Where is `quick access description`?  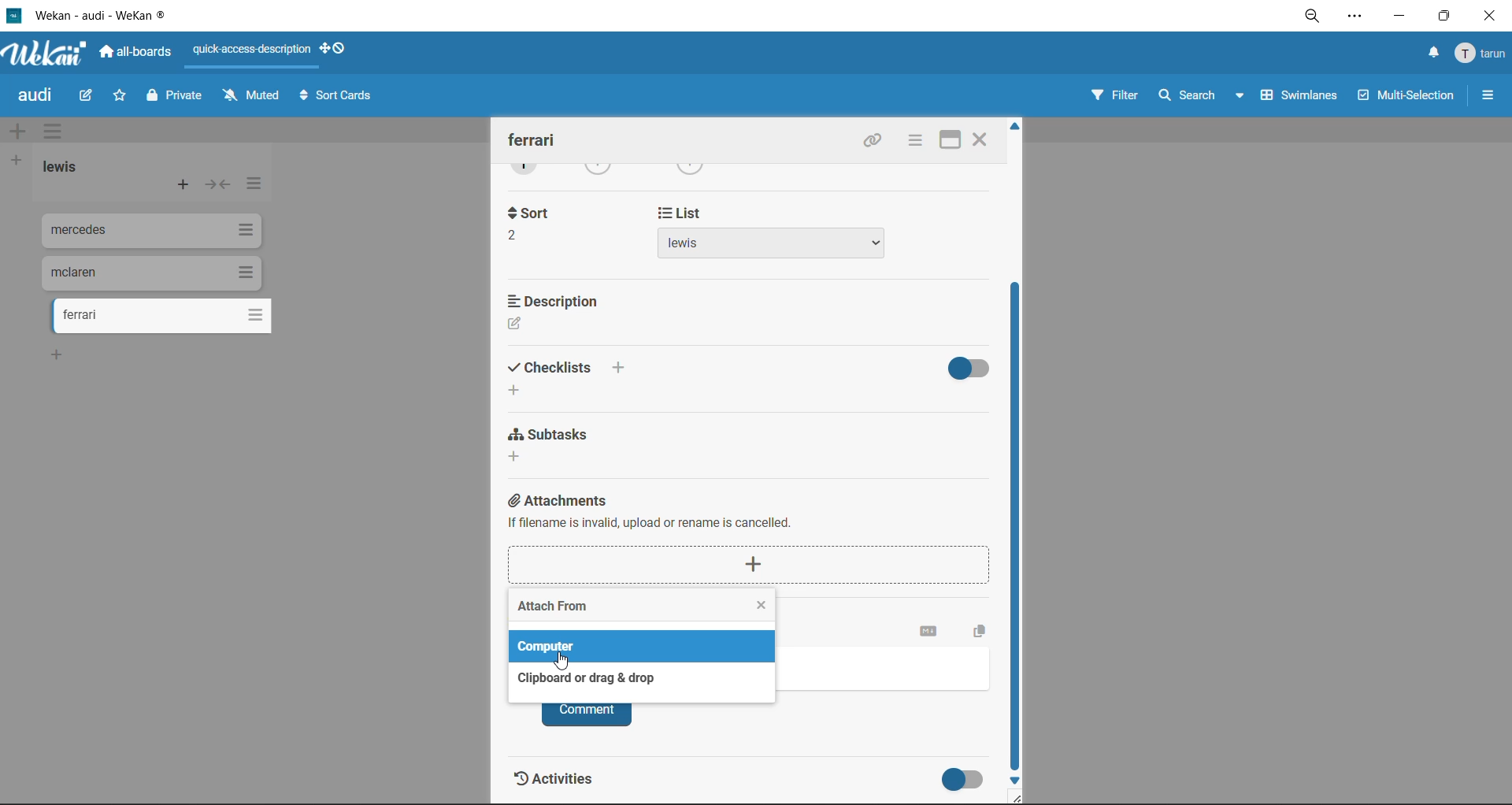 quick access description is located at coordinates (249, 55).